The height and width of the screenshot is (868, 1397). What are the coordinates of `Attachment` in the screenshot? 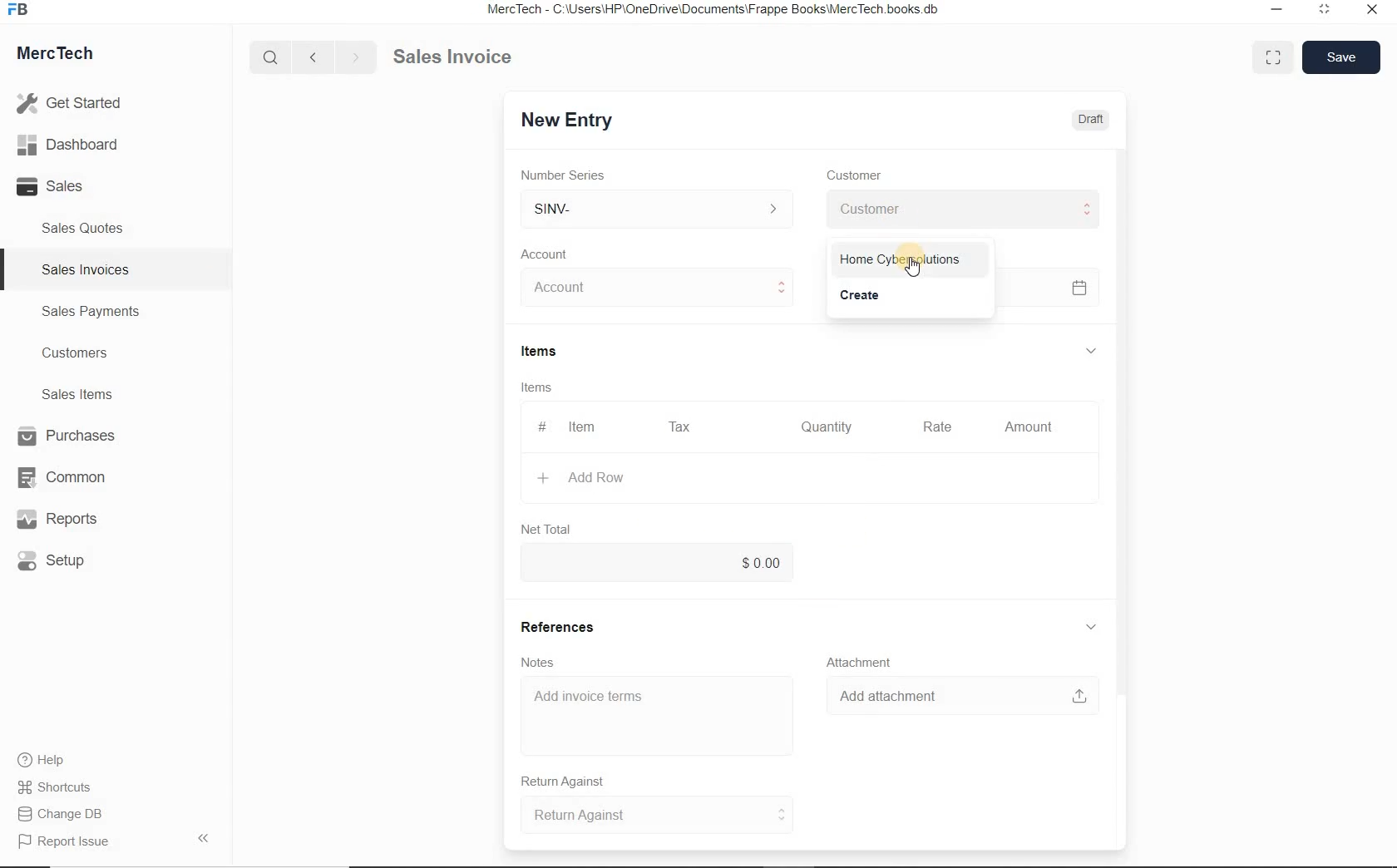 It's located at (861, 663).